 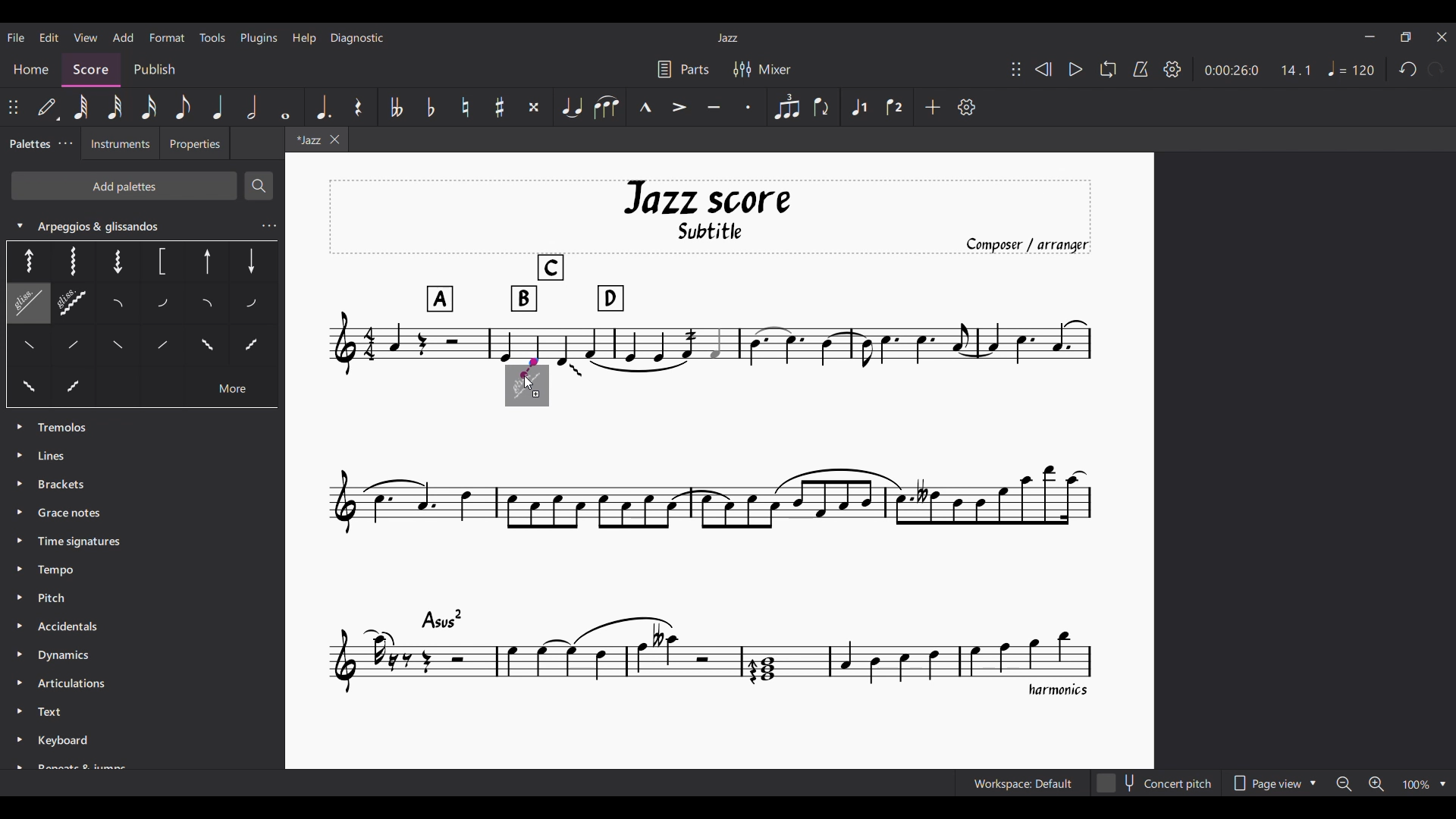 I want to click on Whole note, so click(x=286, y=107).